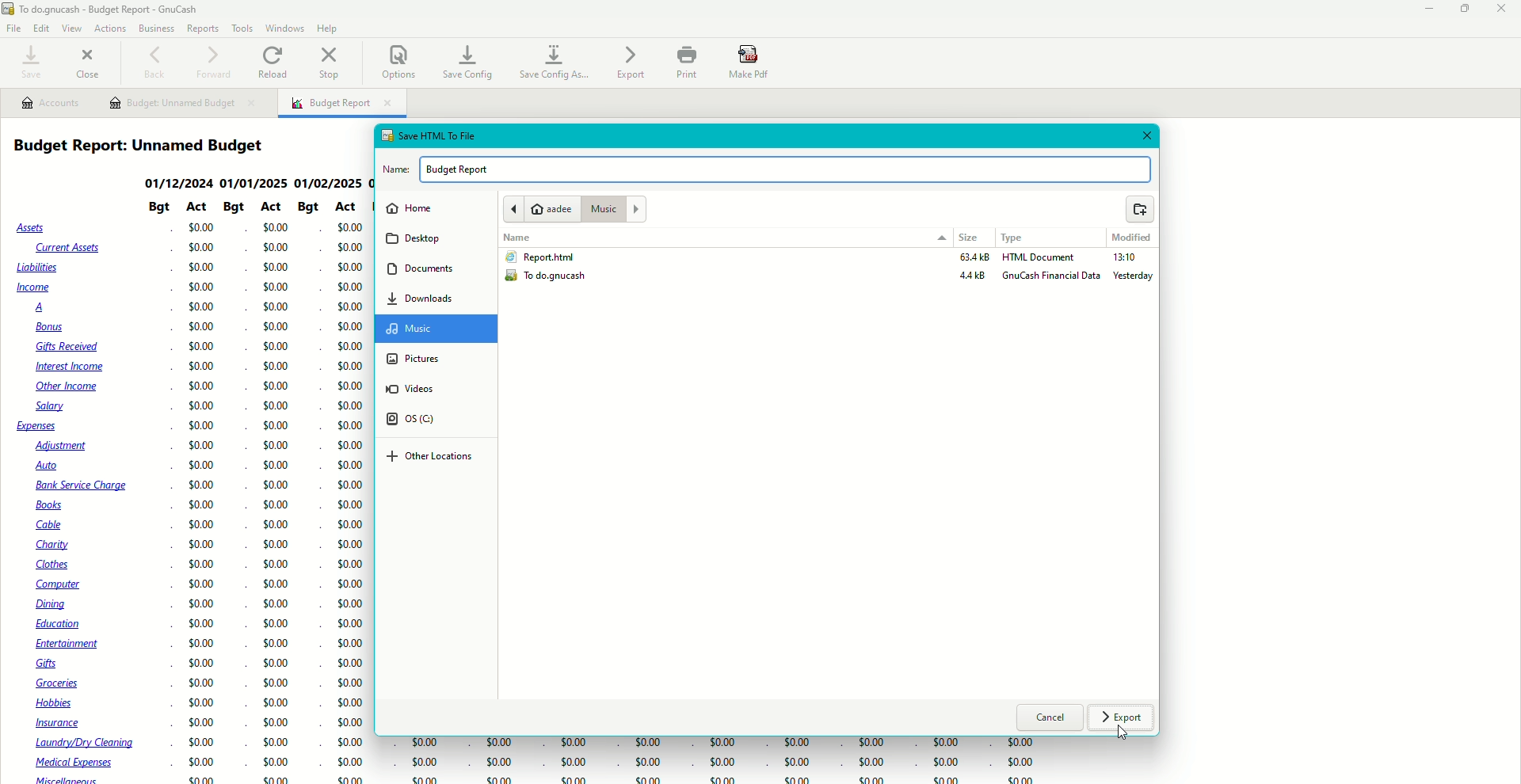  What do you see at coordinates (539, 209) in the screenshot?
I see `Aadee` at bounding box center [539, 209].